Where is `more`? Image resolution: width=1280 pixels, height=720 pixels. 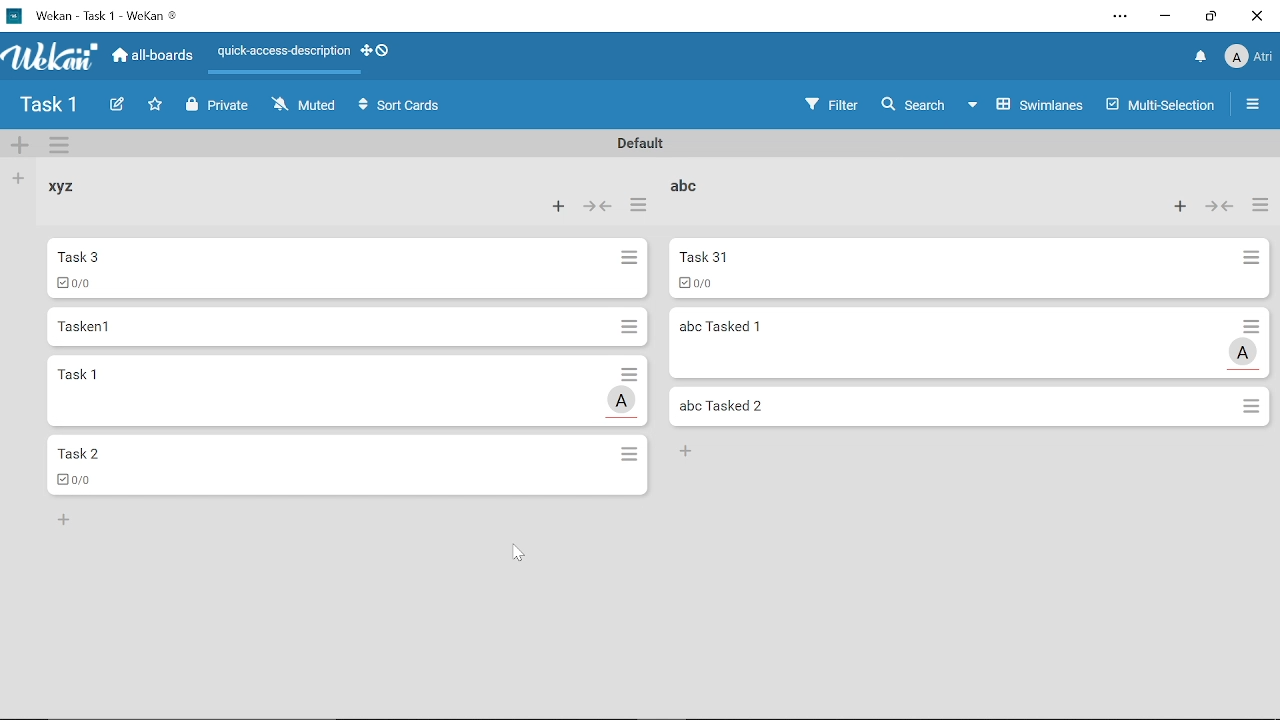 more is located at coordinates (1259, 205).